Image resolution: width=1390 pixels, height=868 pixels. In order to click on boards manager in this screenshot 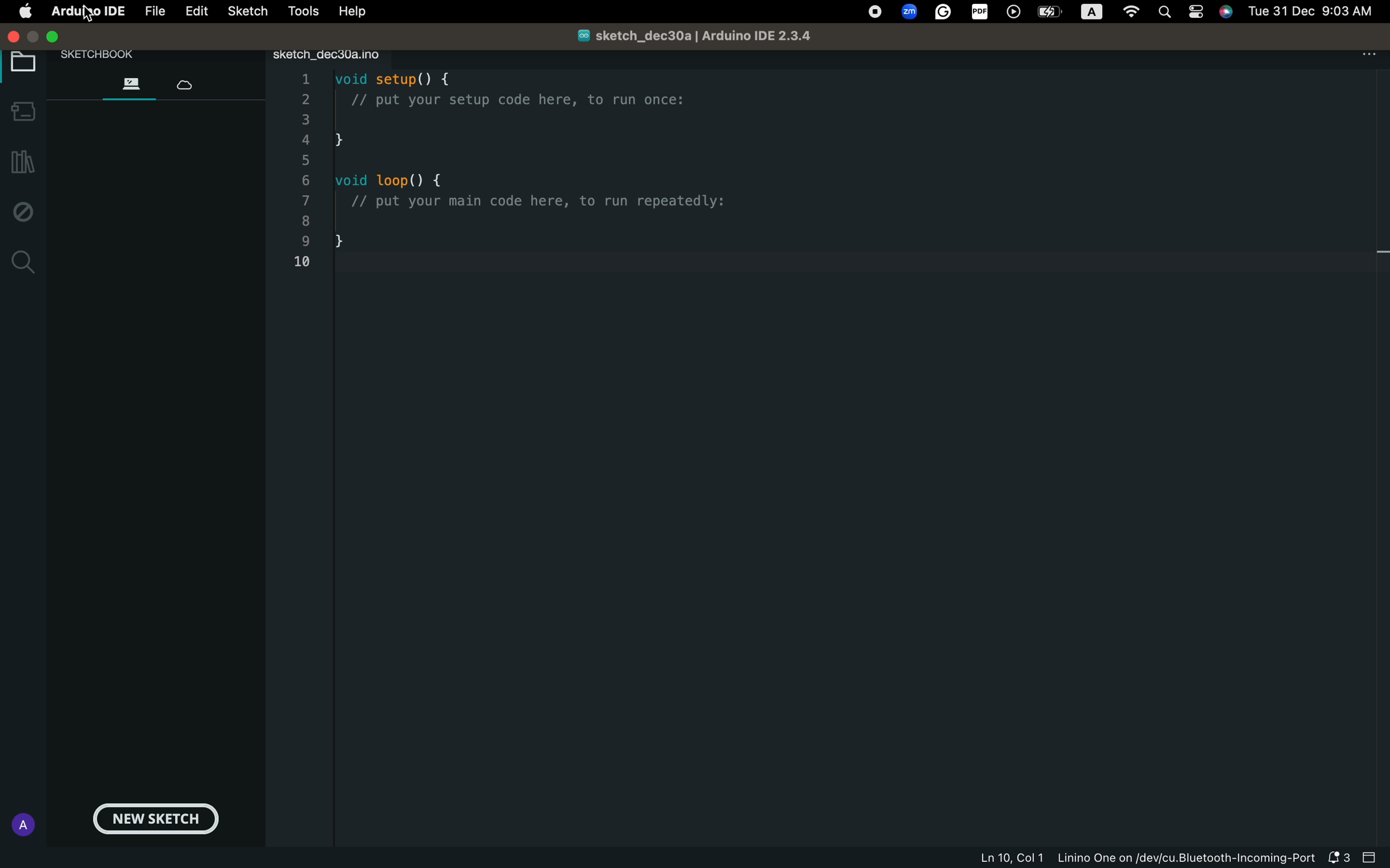, I will do `click(21, 113)`.